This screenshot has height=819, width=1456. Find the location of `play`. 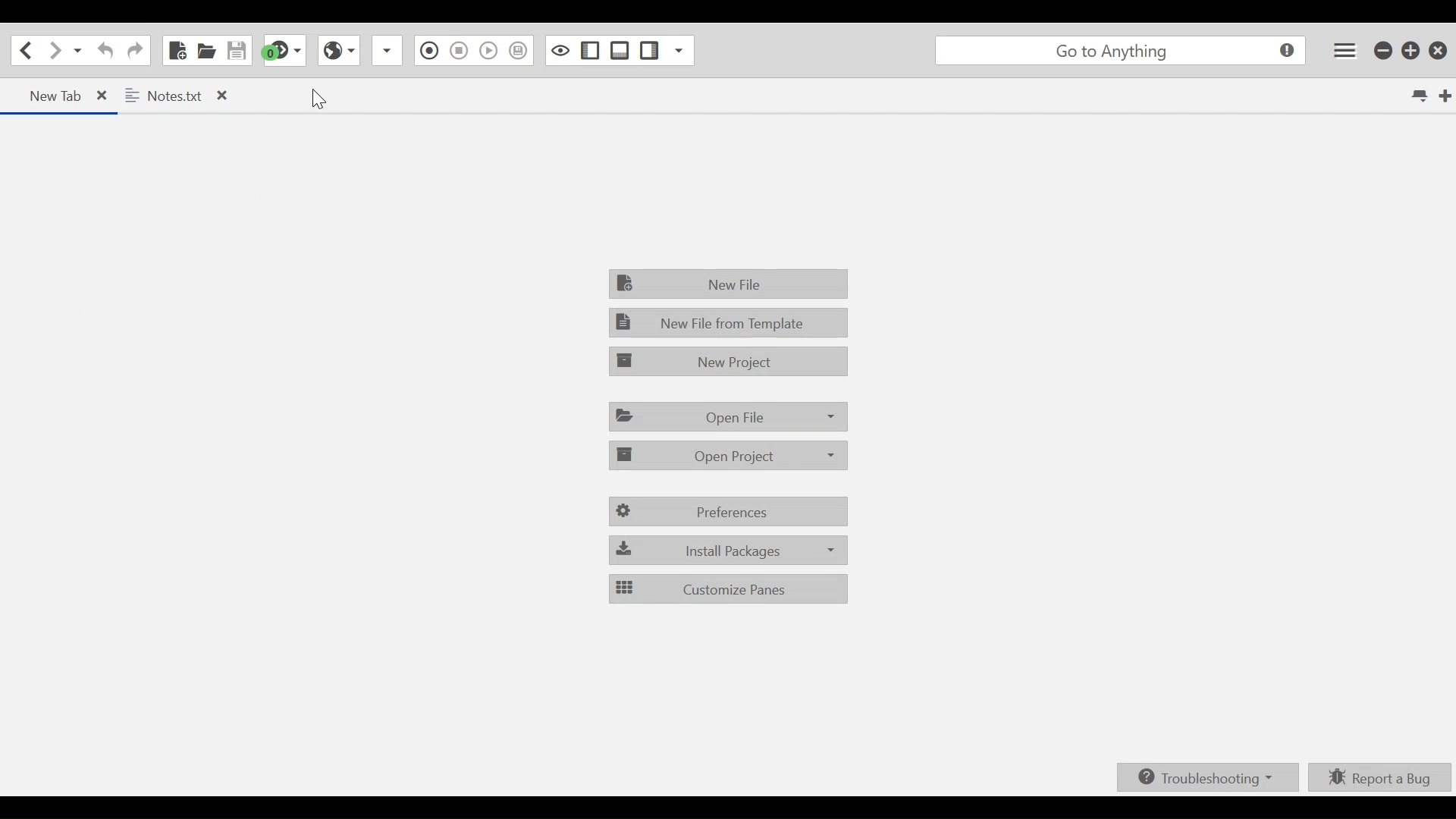

play is located at coordinates (488, 51).